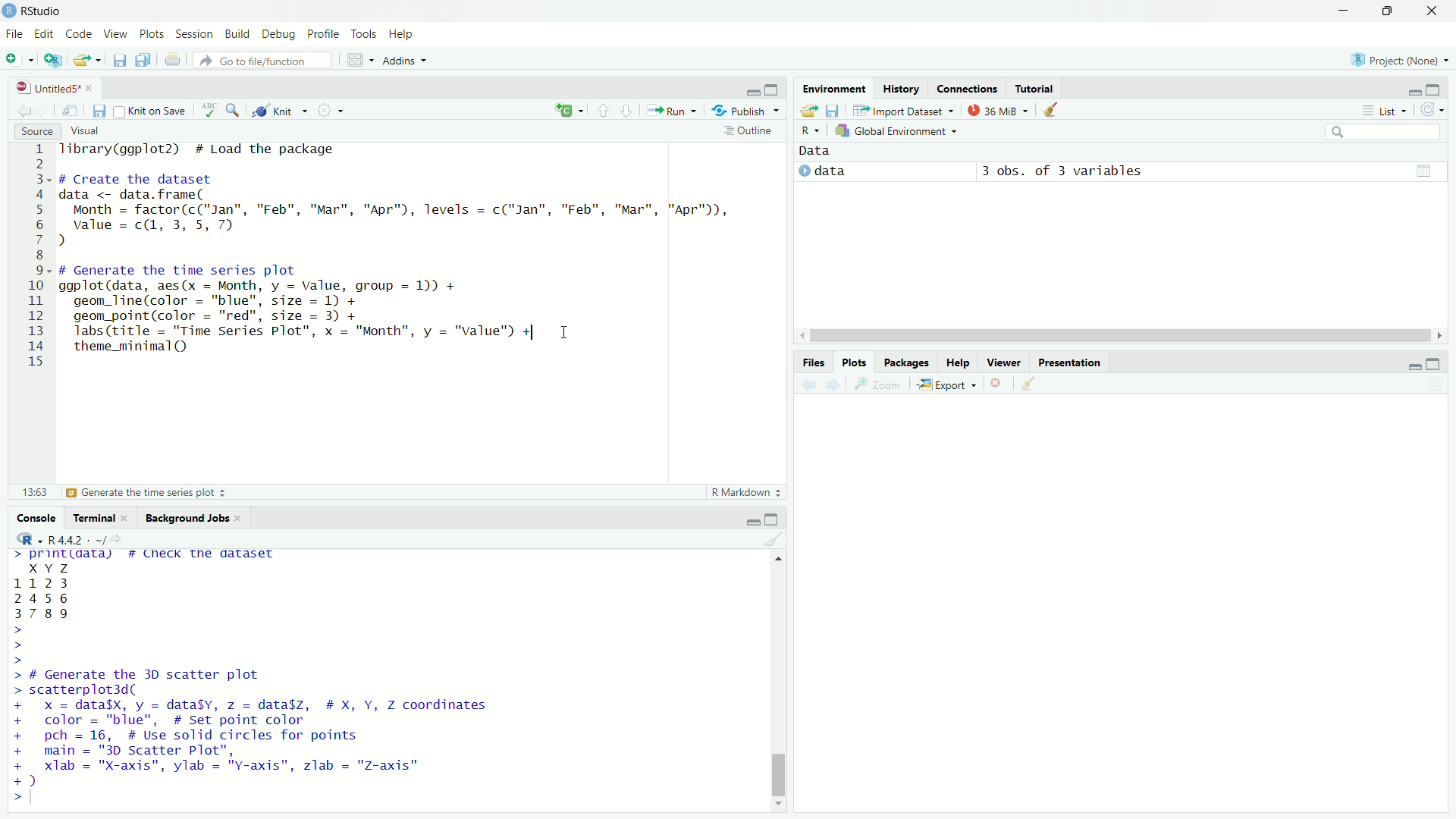  I want to click on code to generate the time series plot, so click(302, 310).